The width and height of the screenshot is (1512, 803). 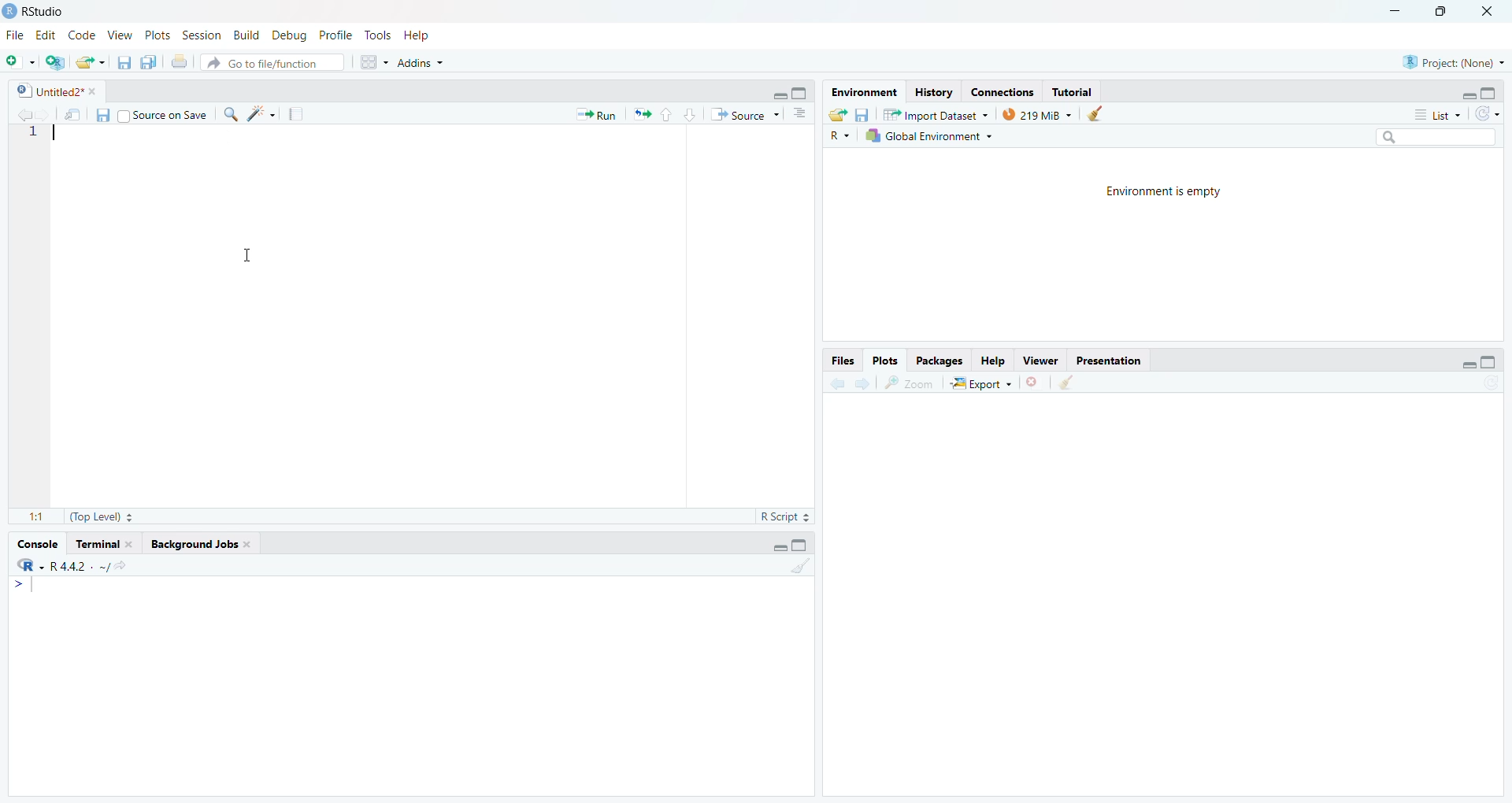 I want to click on Code, so click(x=83, y=35).